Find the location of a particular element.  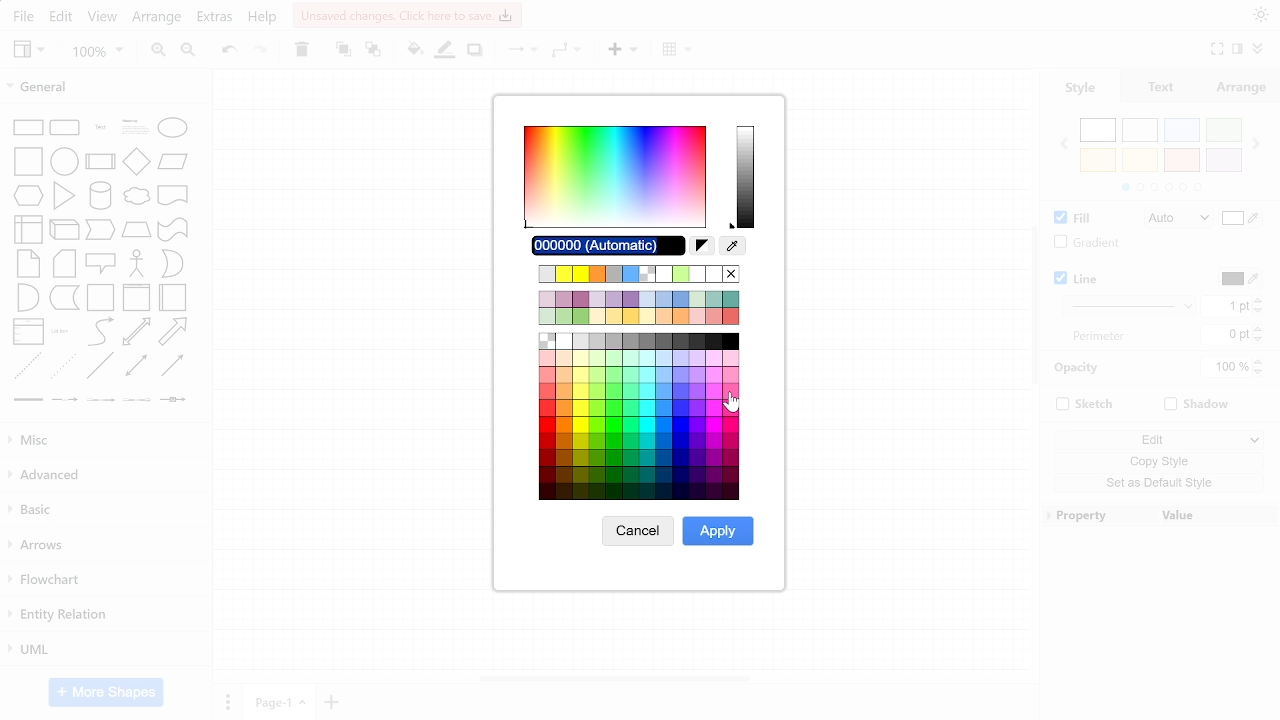

Color spectrum is located at coordinates (612, 175).